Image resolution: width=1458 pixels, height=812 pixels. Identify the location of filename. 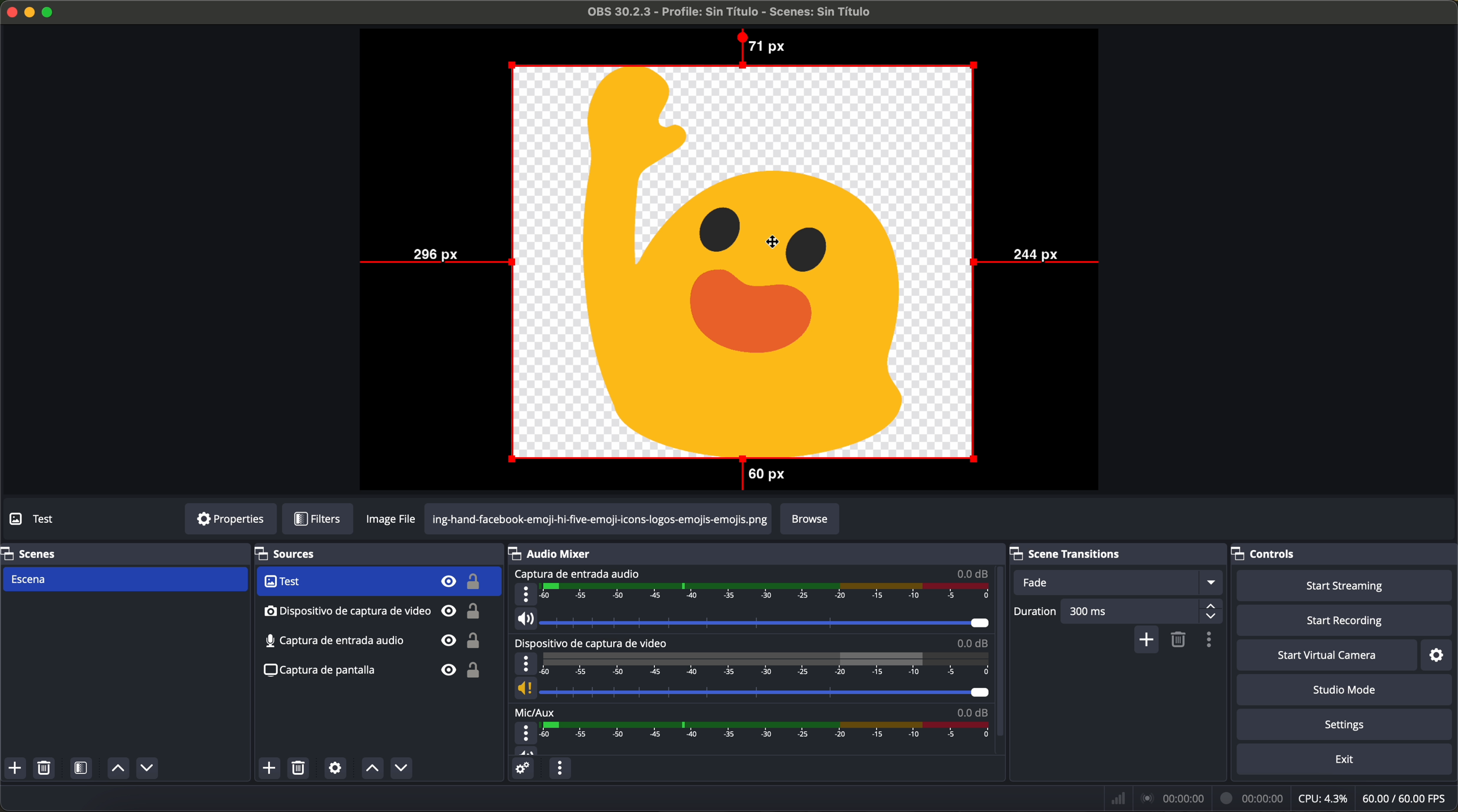
(731, 12).